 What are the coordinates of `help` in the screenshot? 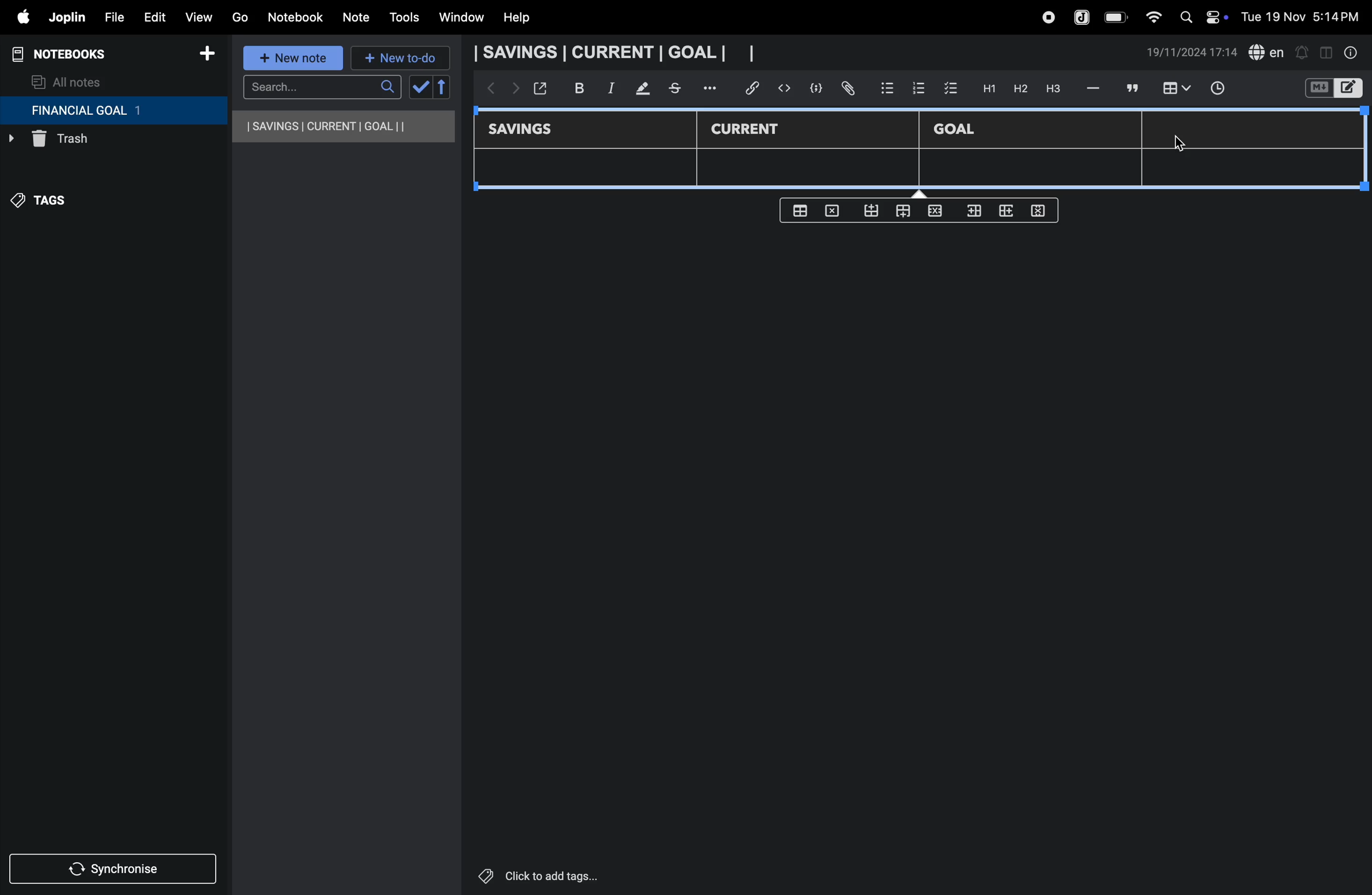 It's located at (525, 18).